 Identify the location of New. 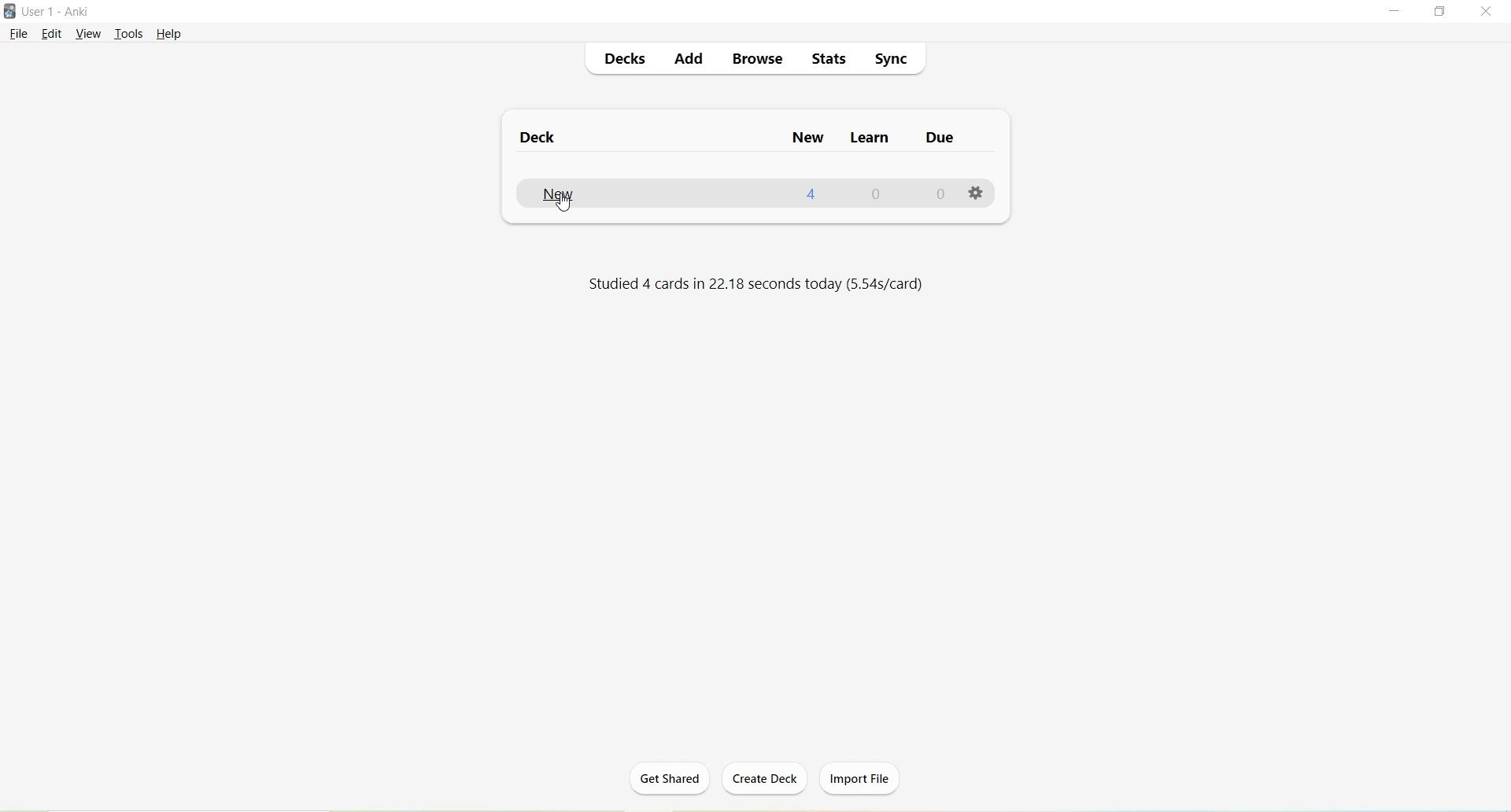
(567, 194).